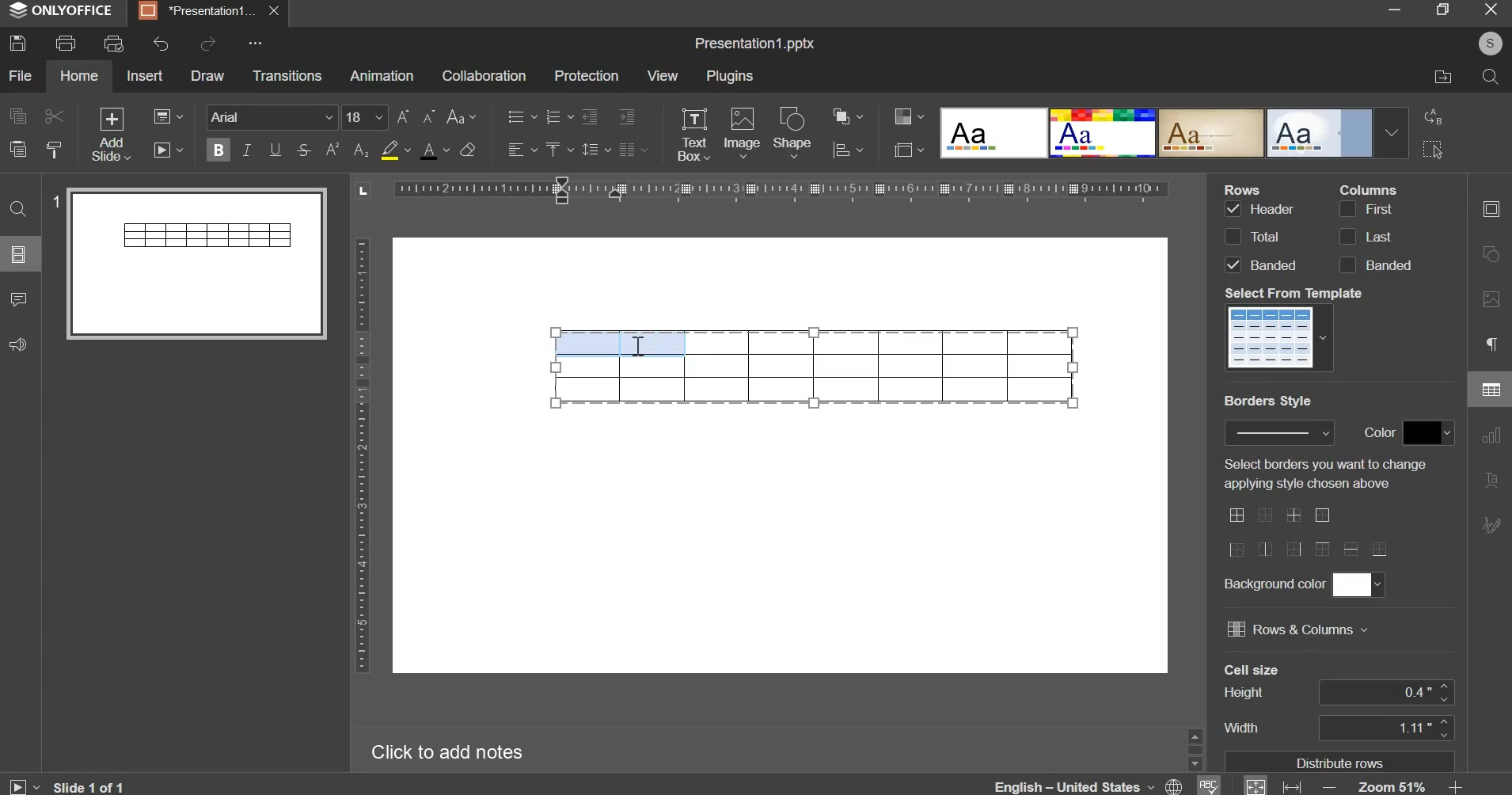 The image size is (1512, 795). I want to click on chart settings, so click(848, 150).